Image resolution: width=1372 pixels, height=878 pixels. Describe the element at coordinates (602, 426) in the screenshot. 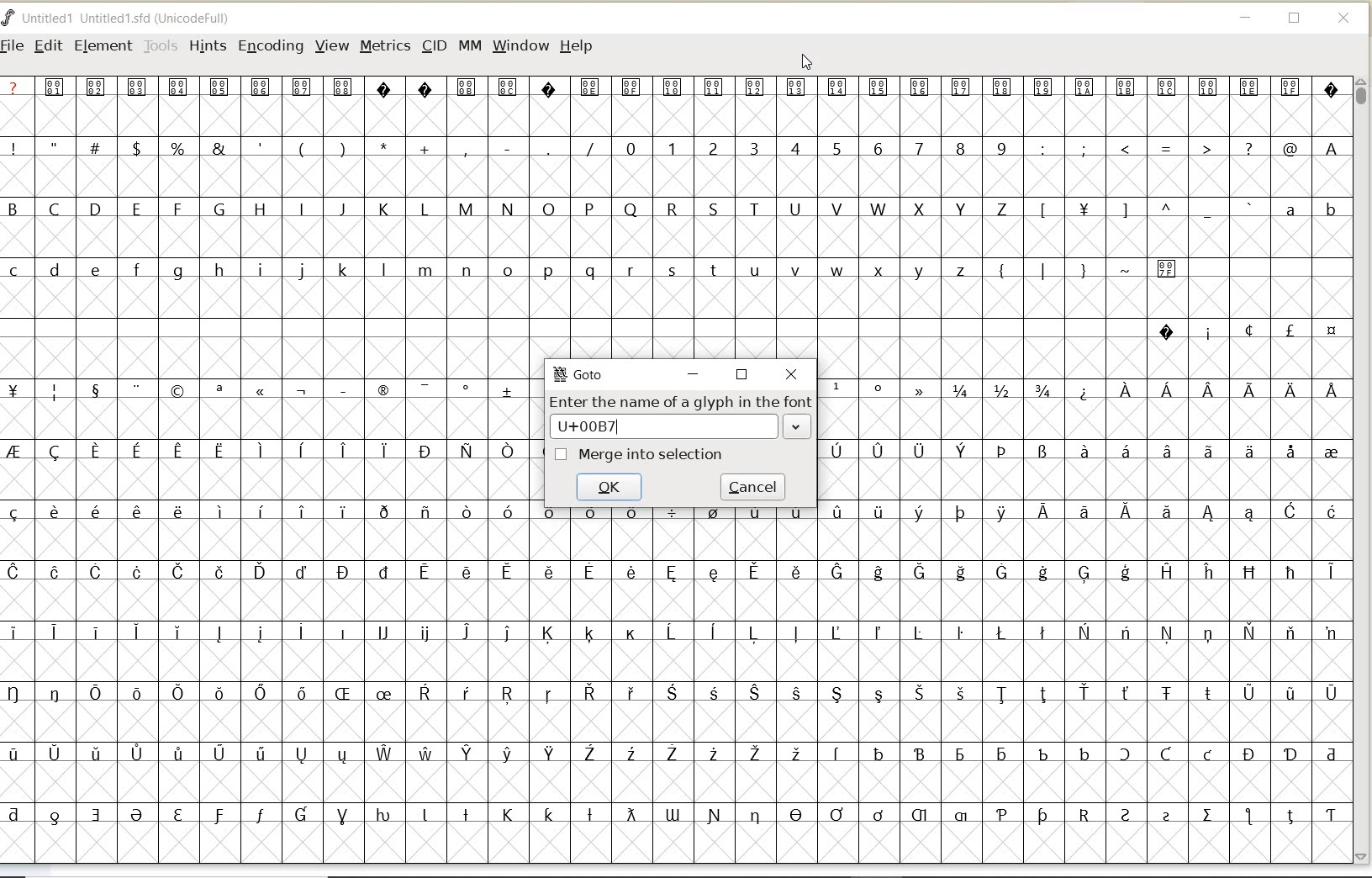

I see `Unicode value` at that location.